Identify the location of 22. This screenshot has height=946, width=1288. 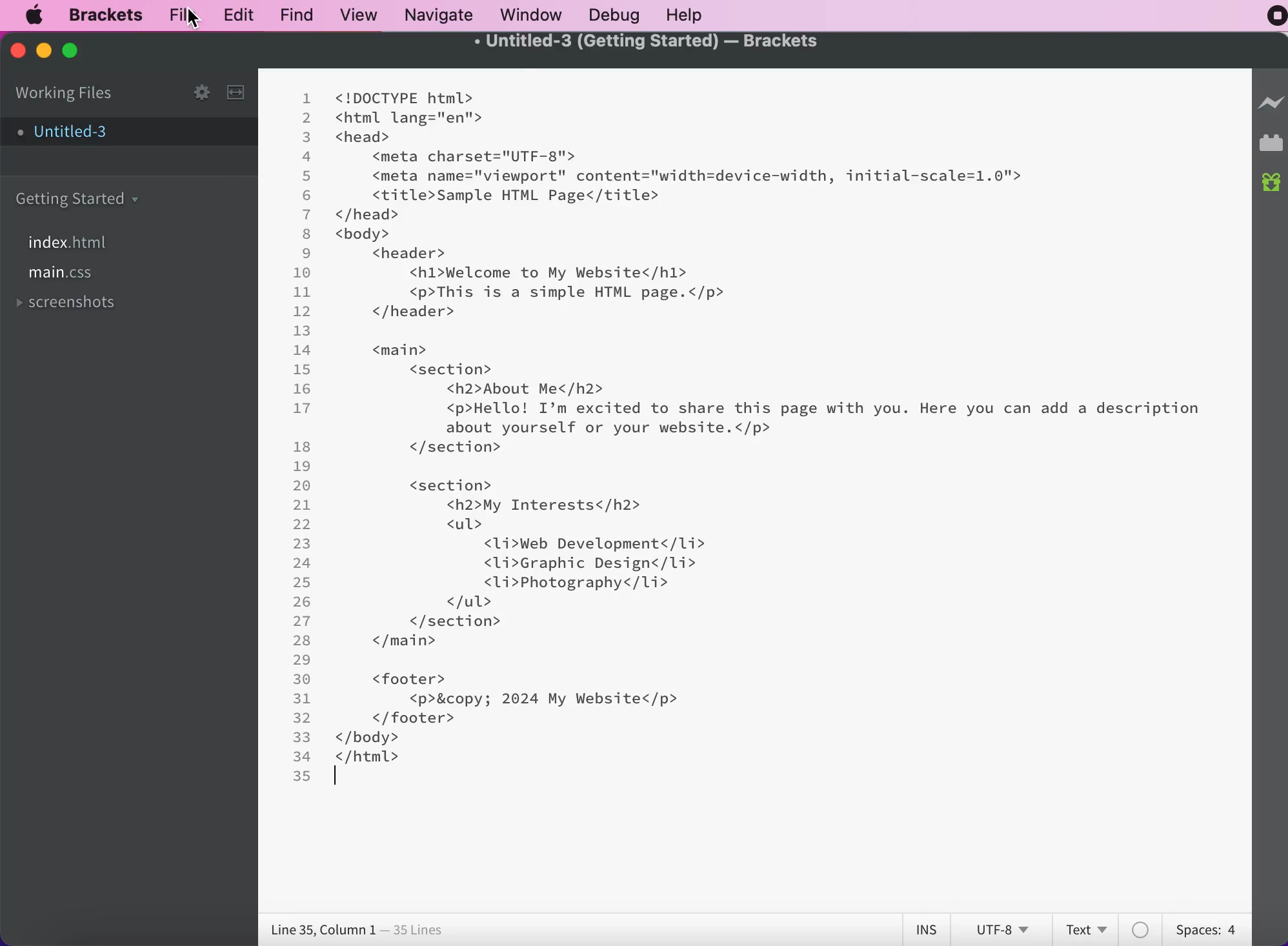
(301, 525).